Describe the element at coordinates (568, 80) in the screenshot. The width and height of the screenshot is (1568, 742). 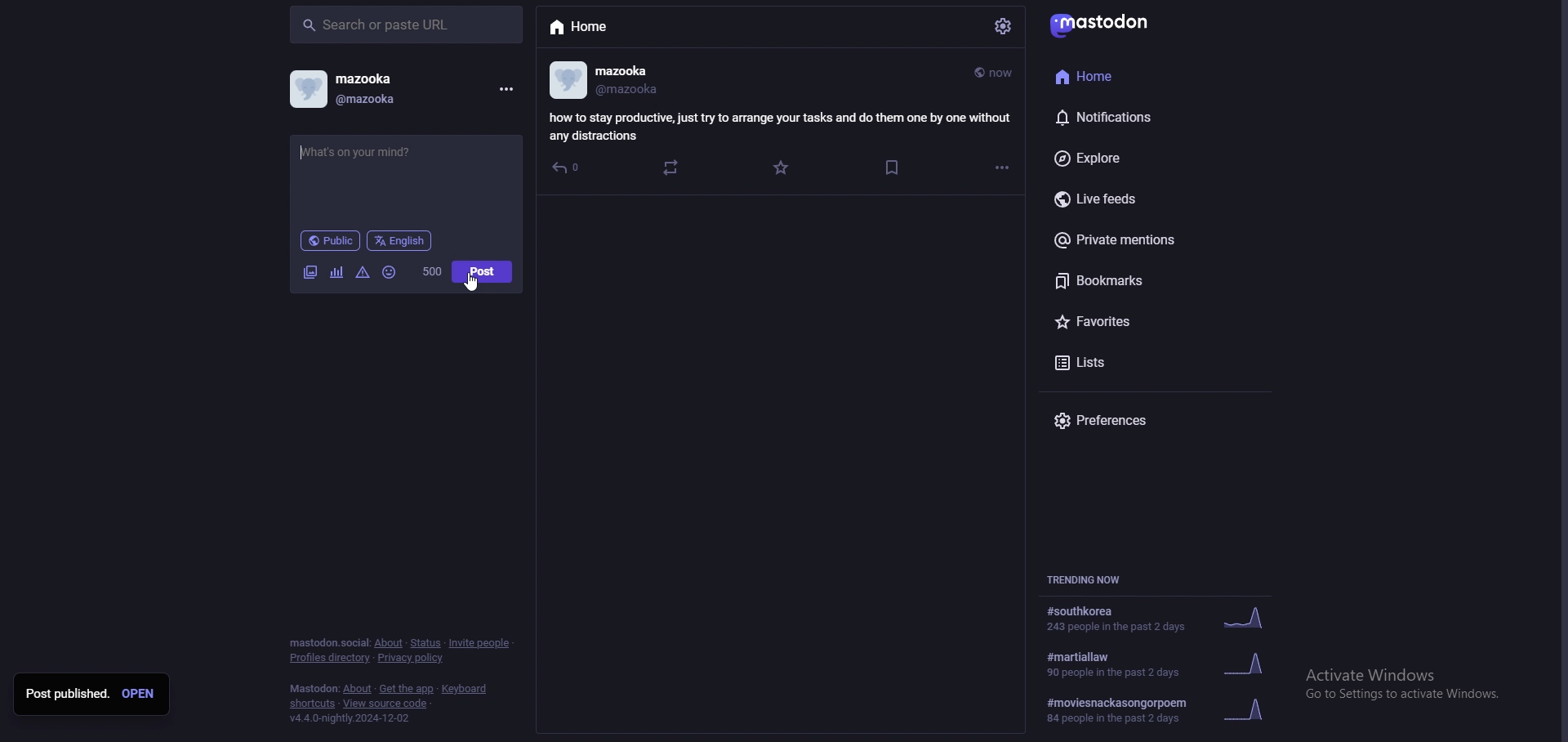
I see `profile` at that location.